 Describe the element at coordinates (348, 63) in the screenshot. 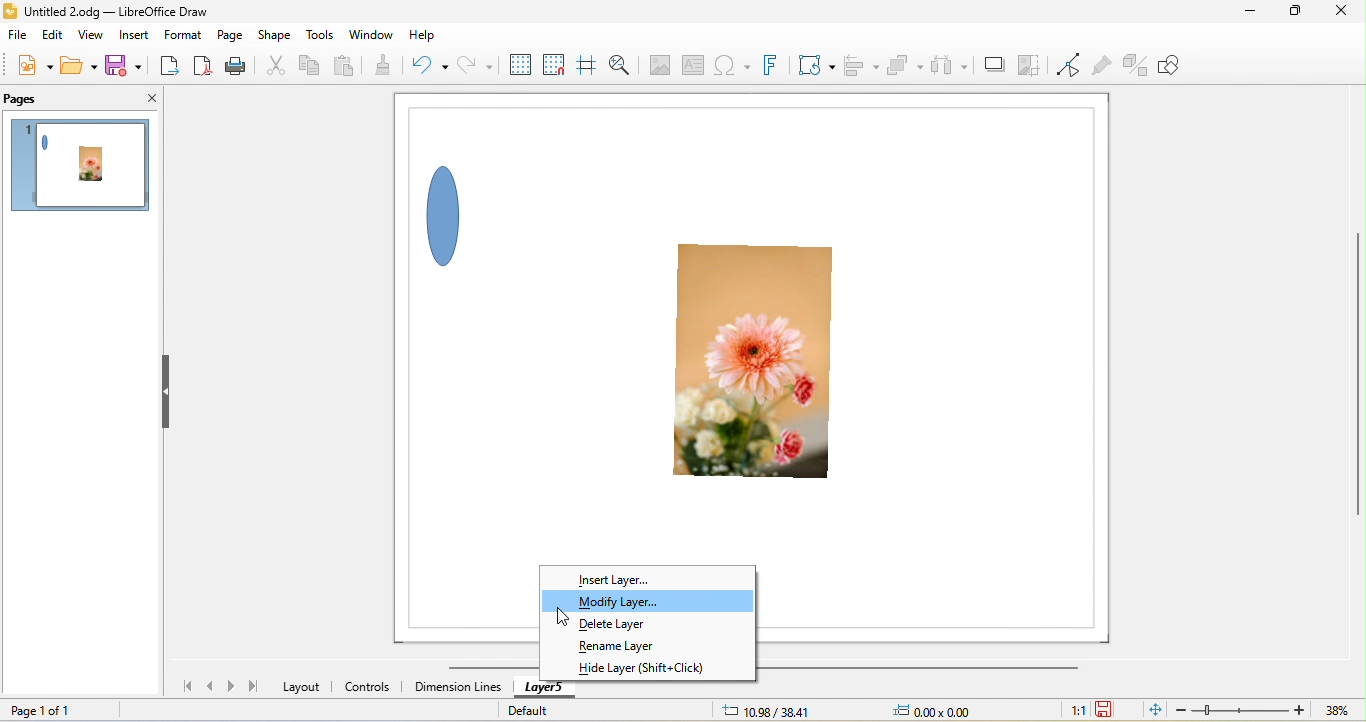

I see `paste` at that location.